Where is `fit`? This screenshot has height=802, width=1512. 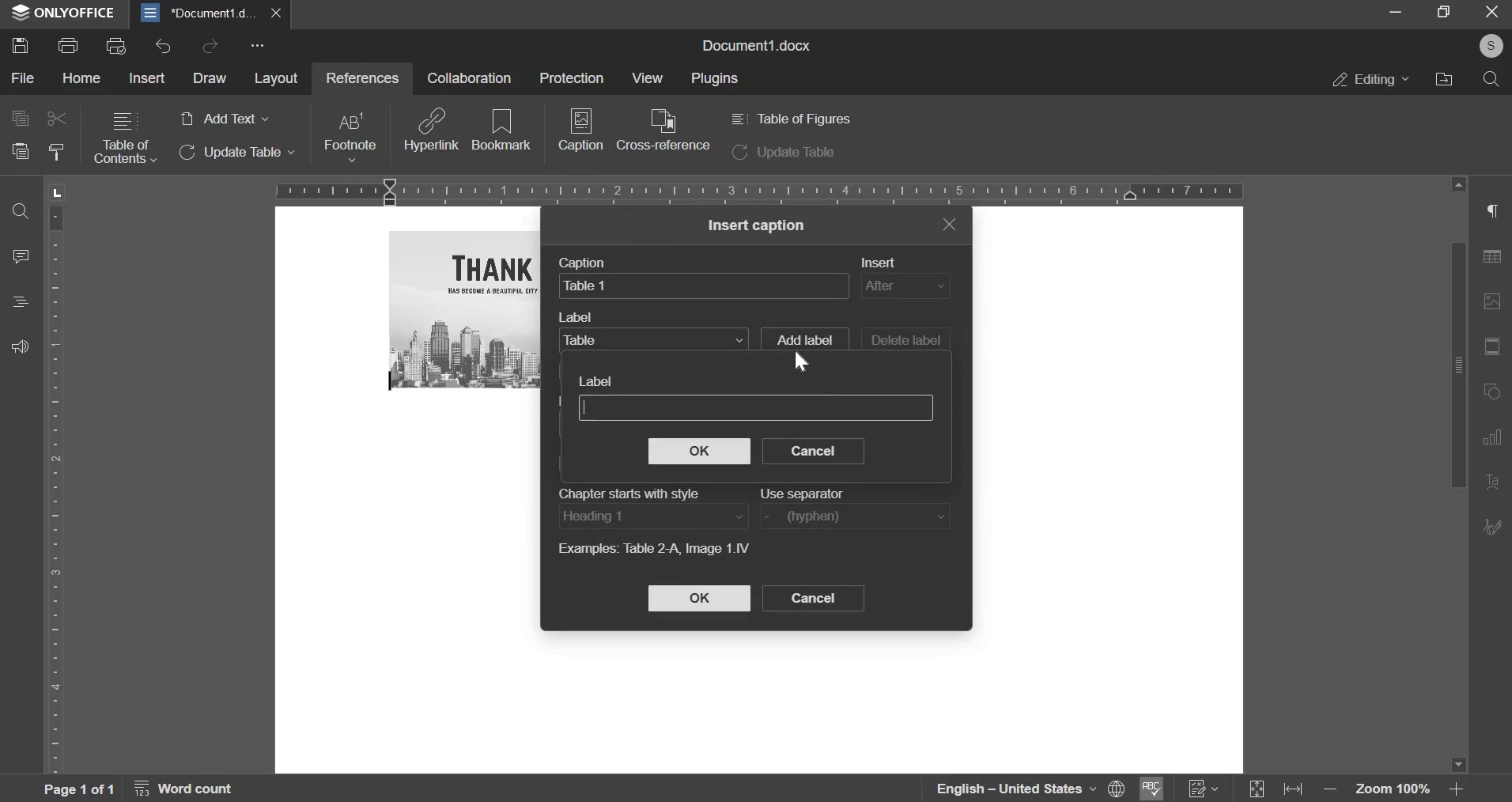 fit is located at coordinates (1495, 348).